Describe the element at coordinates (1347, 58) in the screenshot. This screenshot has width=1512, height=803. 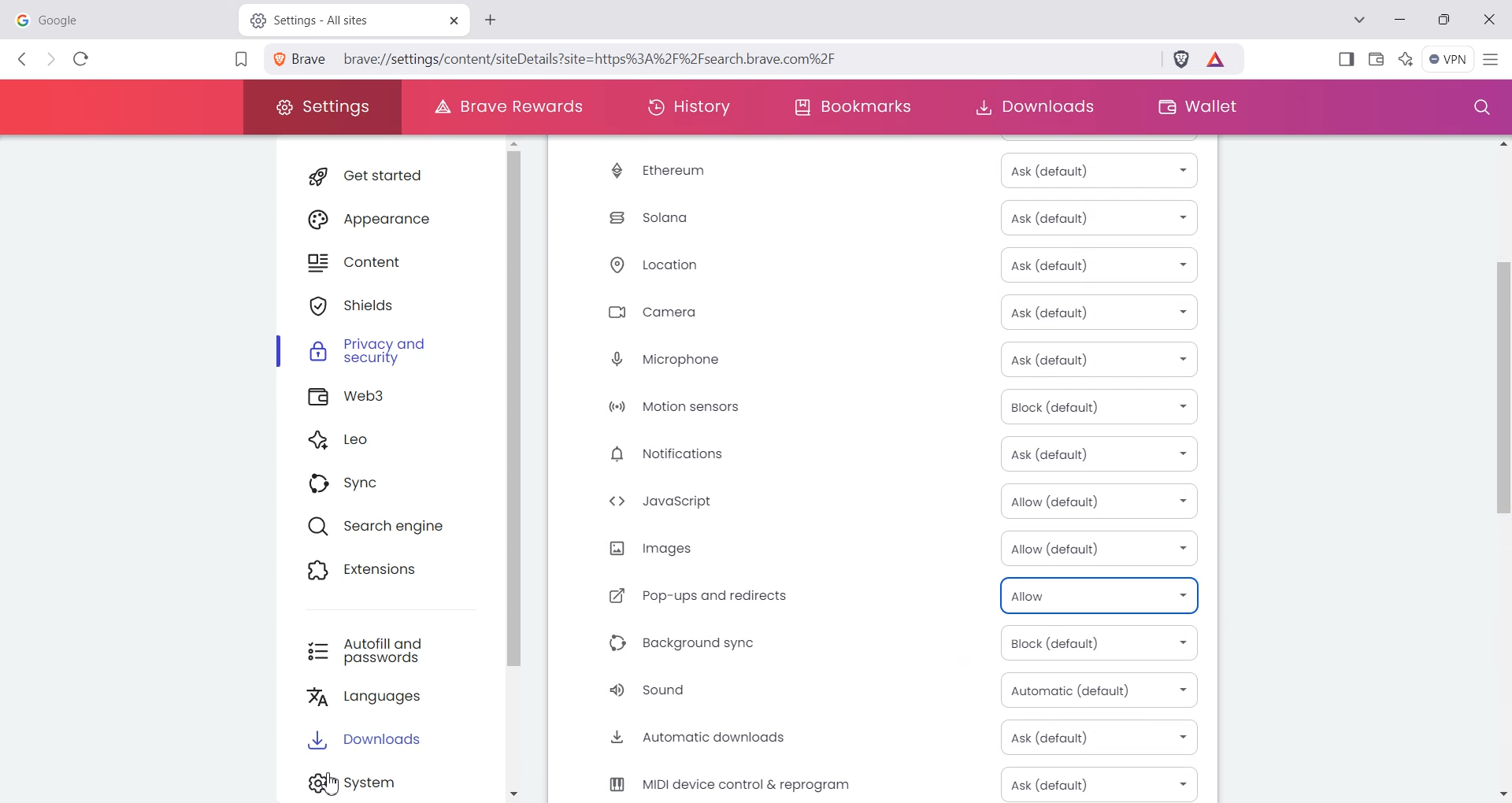
I see `Show Sidebar` at that location.